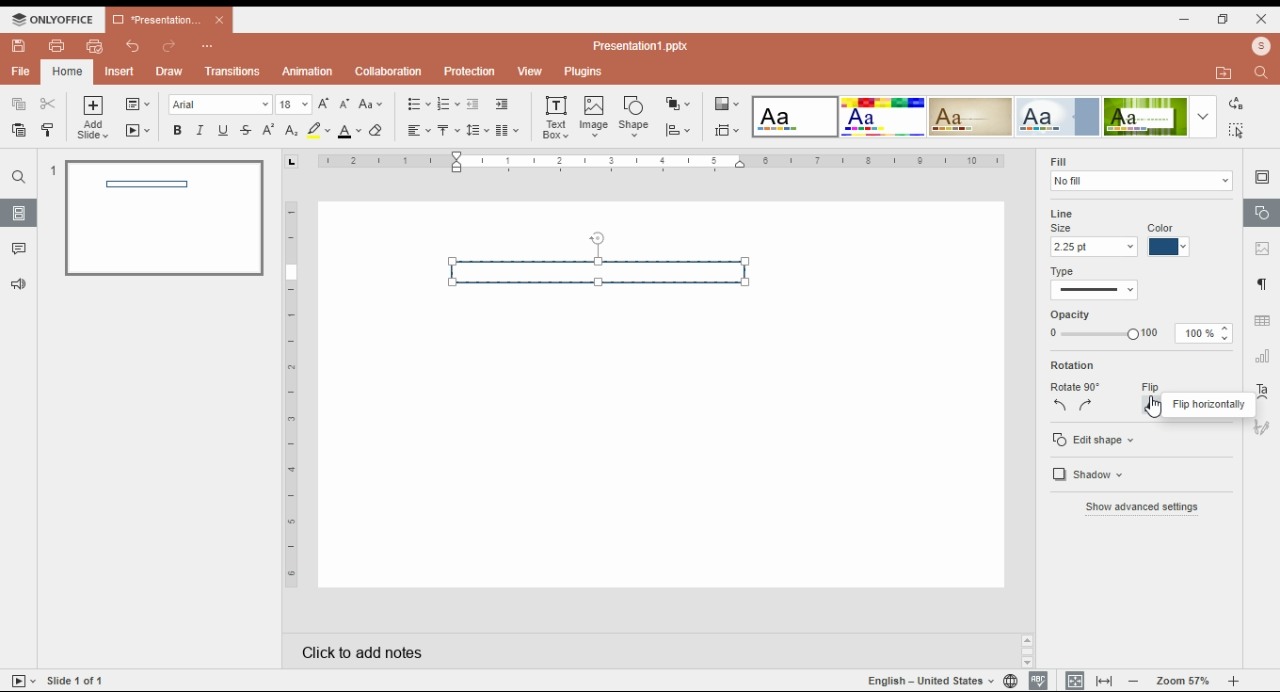 This screenshot has width=1280, height=692. I want to click on Presentation1.pptx, so click(640, 46).